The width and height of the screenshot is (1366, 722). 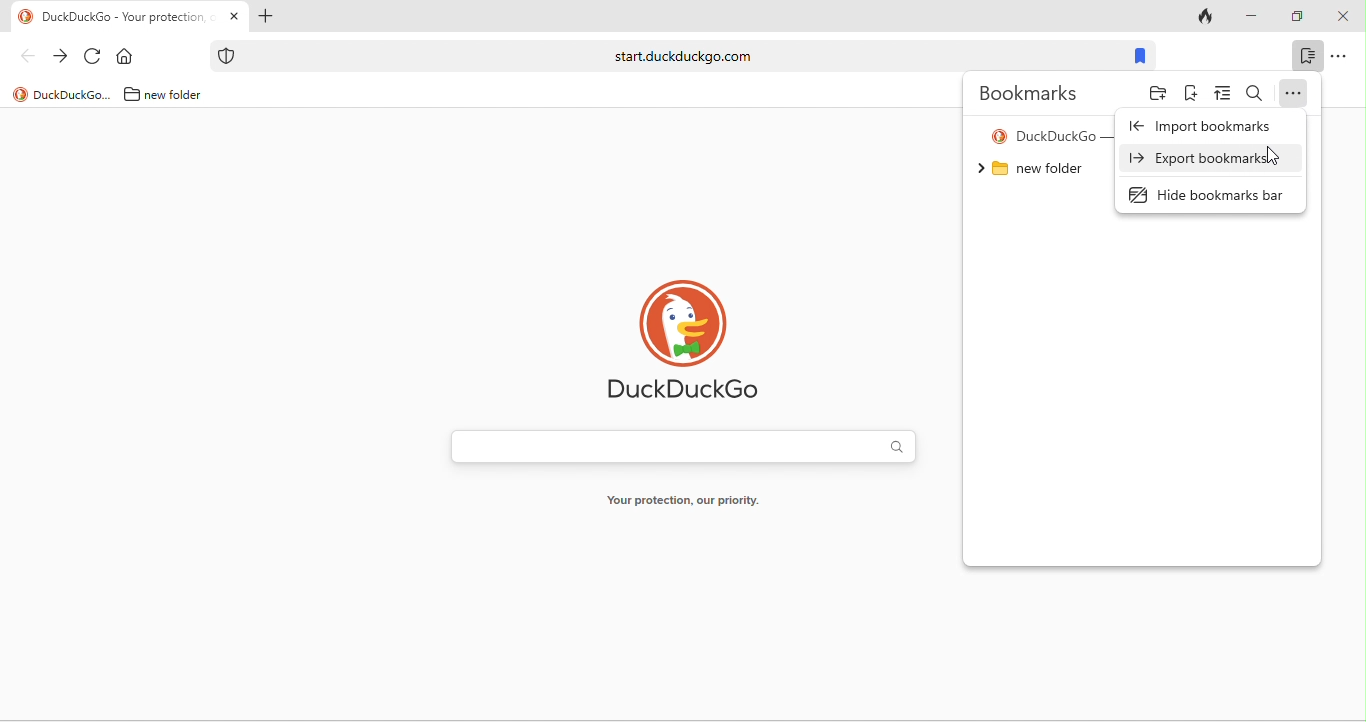 I want to click on home, so click(x=124, y=56).